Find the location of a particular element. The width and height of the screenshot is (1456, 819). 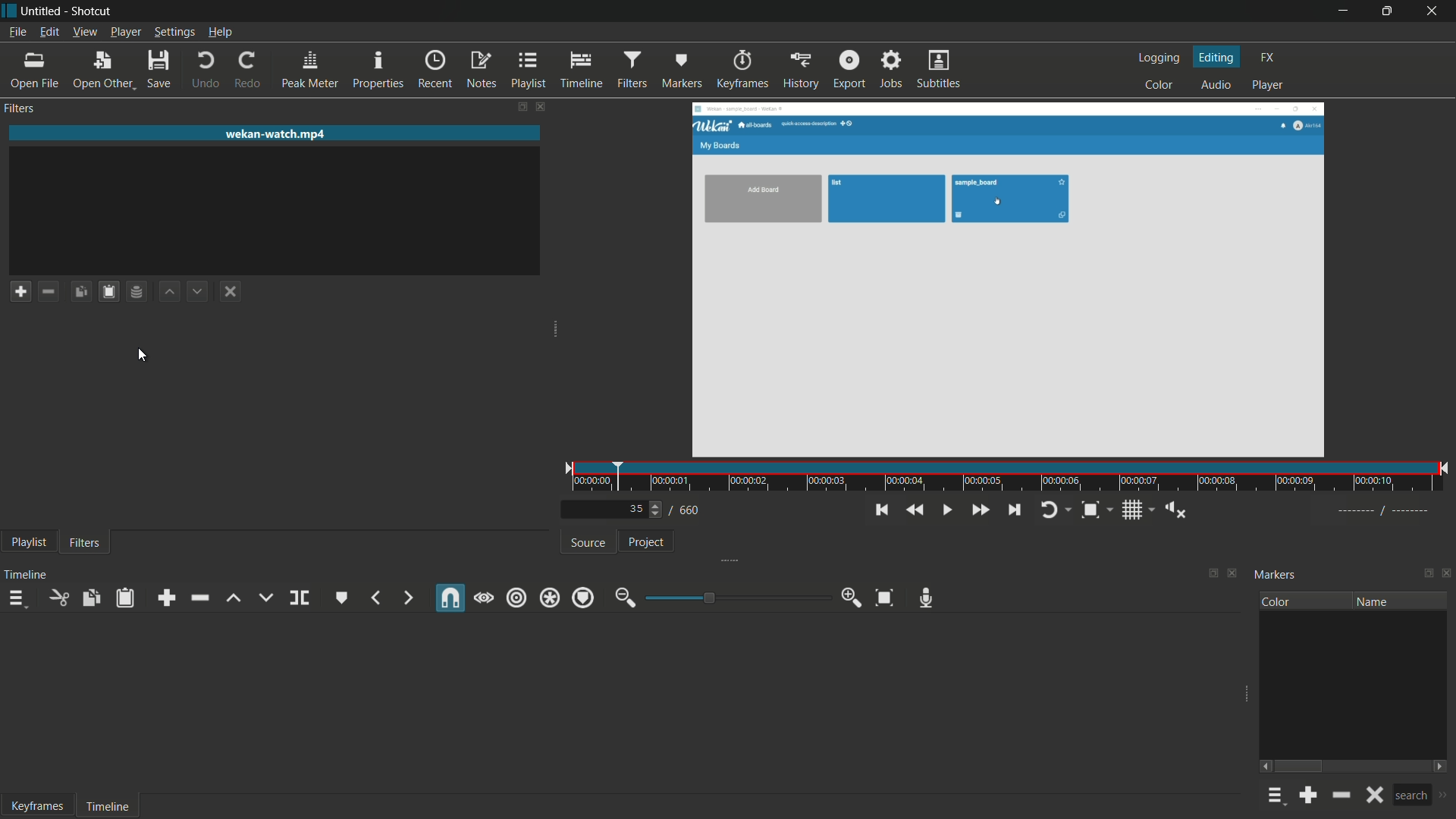

change layout is located at coordinates (1208, 573).